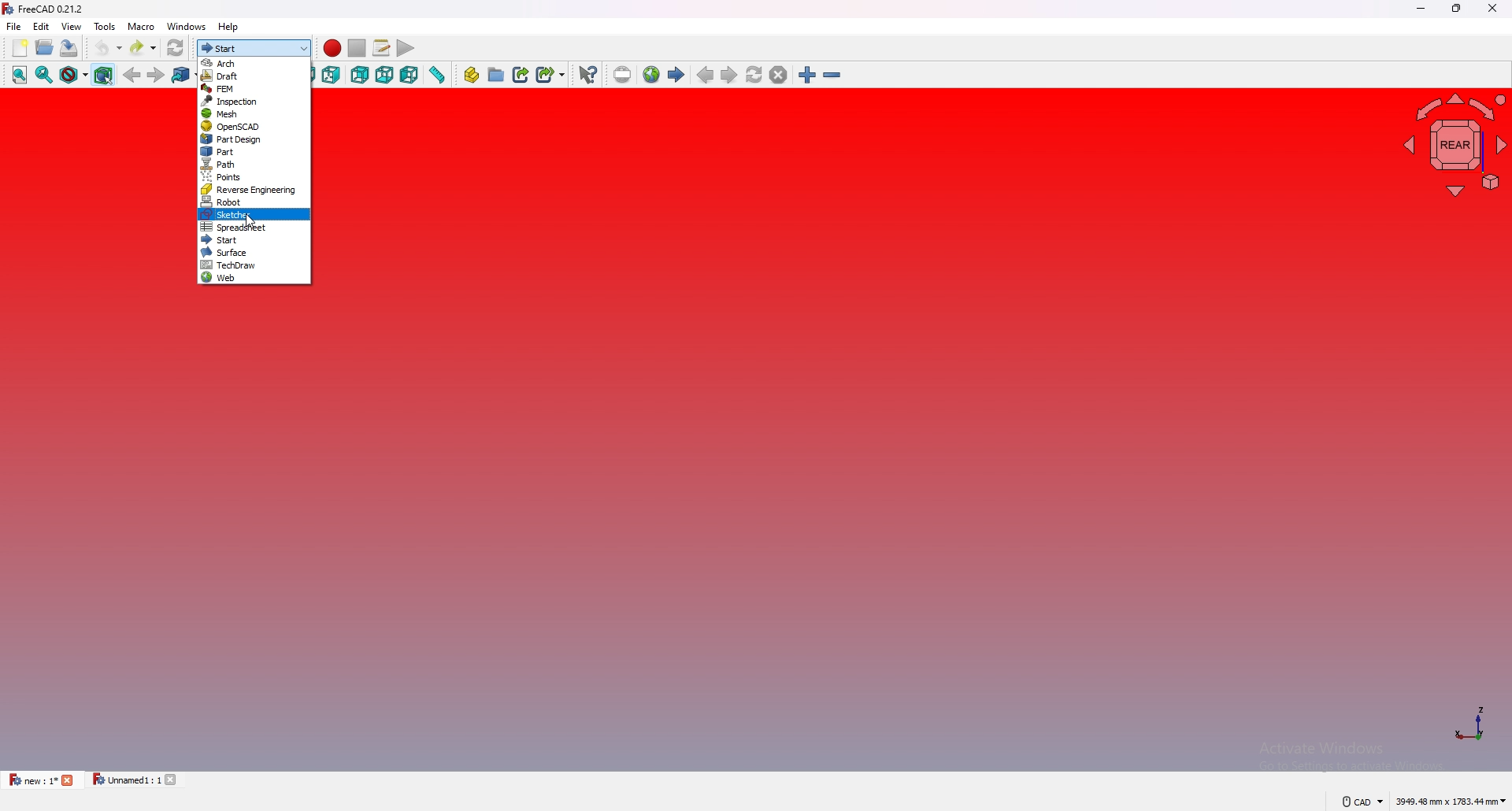  Describe the element at coordinates (254, 202) in the screenshot. I see `robot` at that location.